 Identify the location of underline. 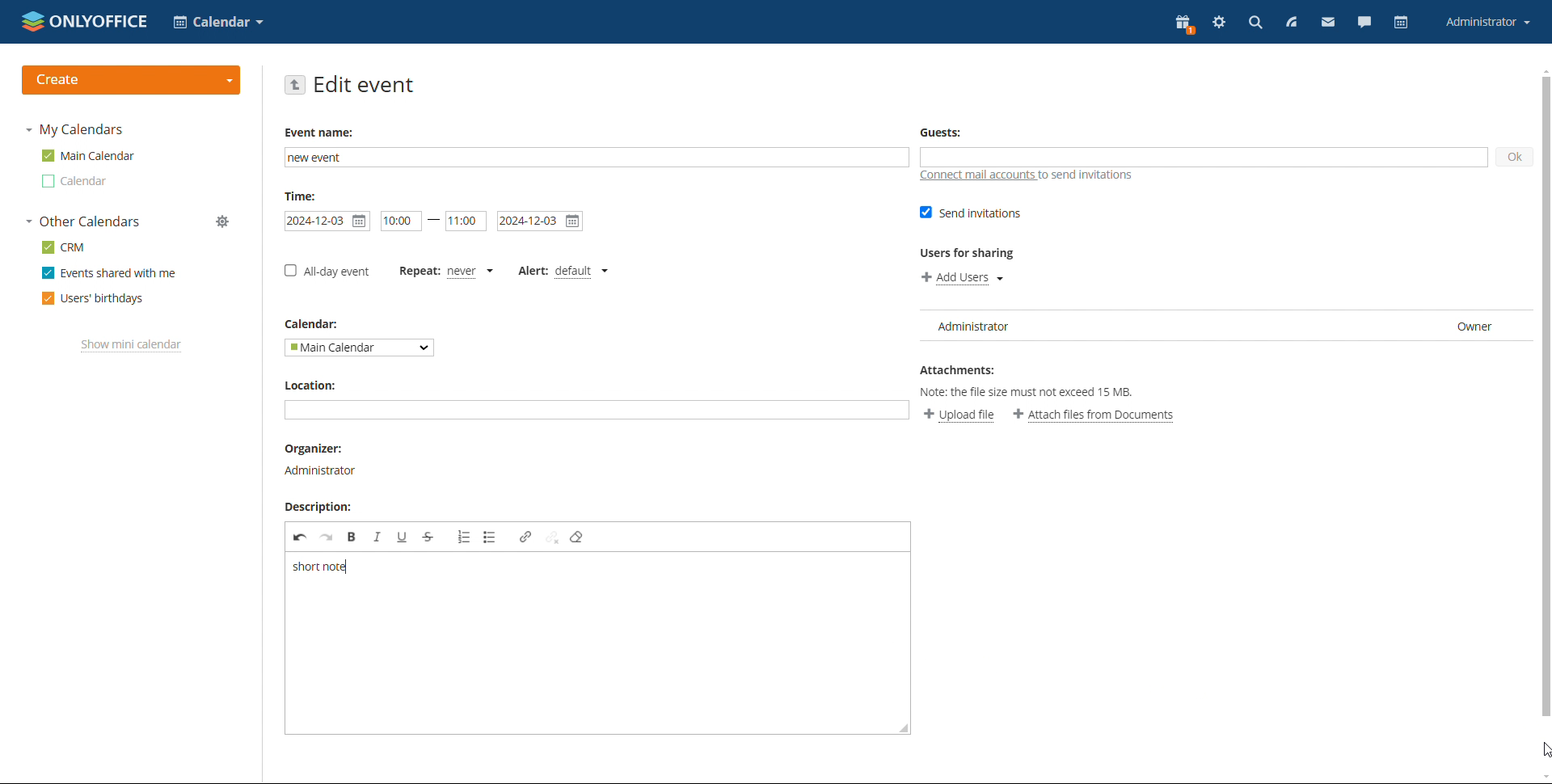
(403, 537).